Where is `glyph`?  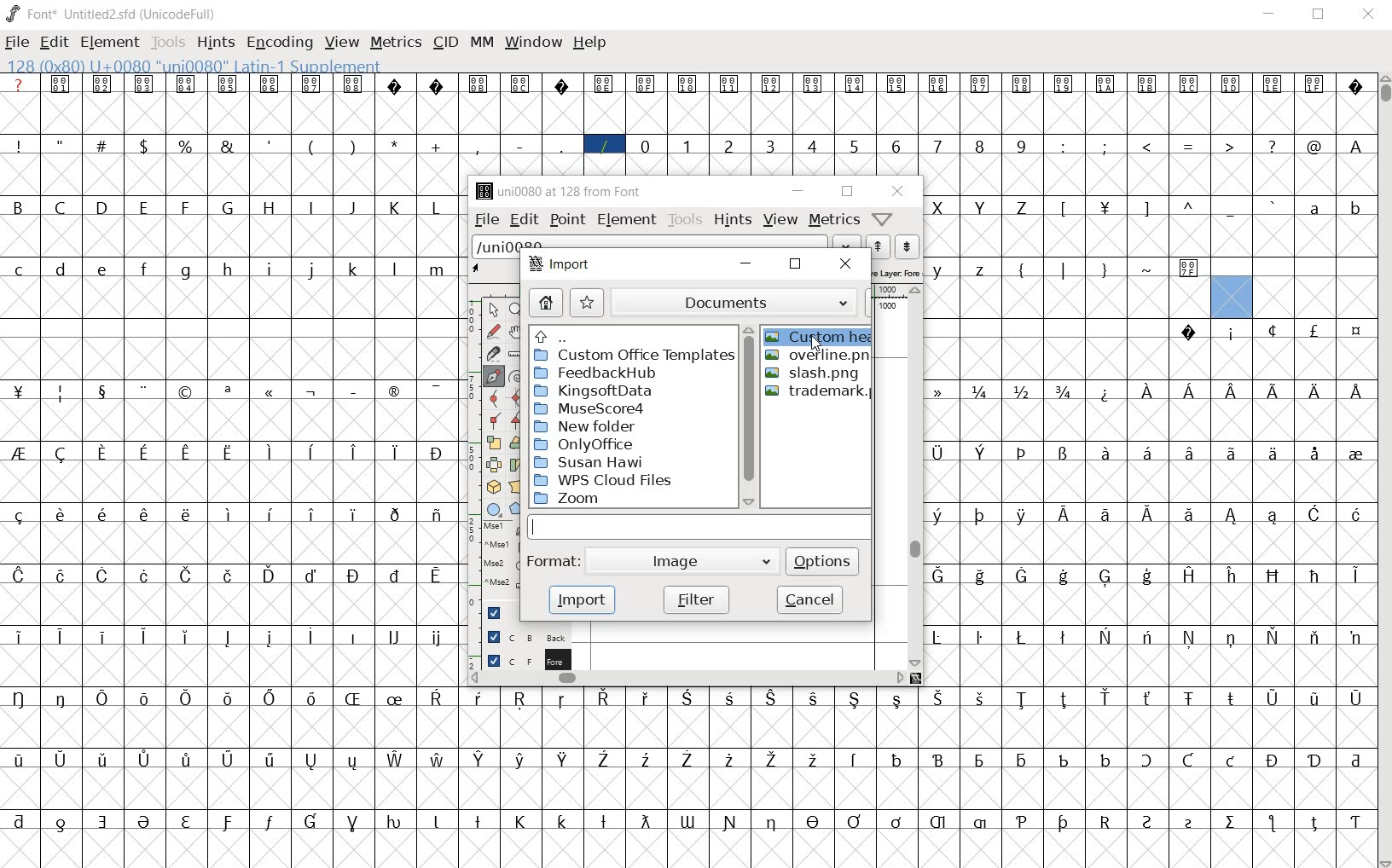
glyph is located at coordinates (562, 146).